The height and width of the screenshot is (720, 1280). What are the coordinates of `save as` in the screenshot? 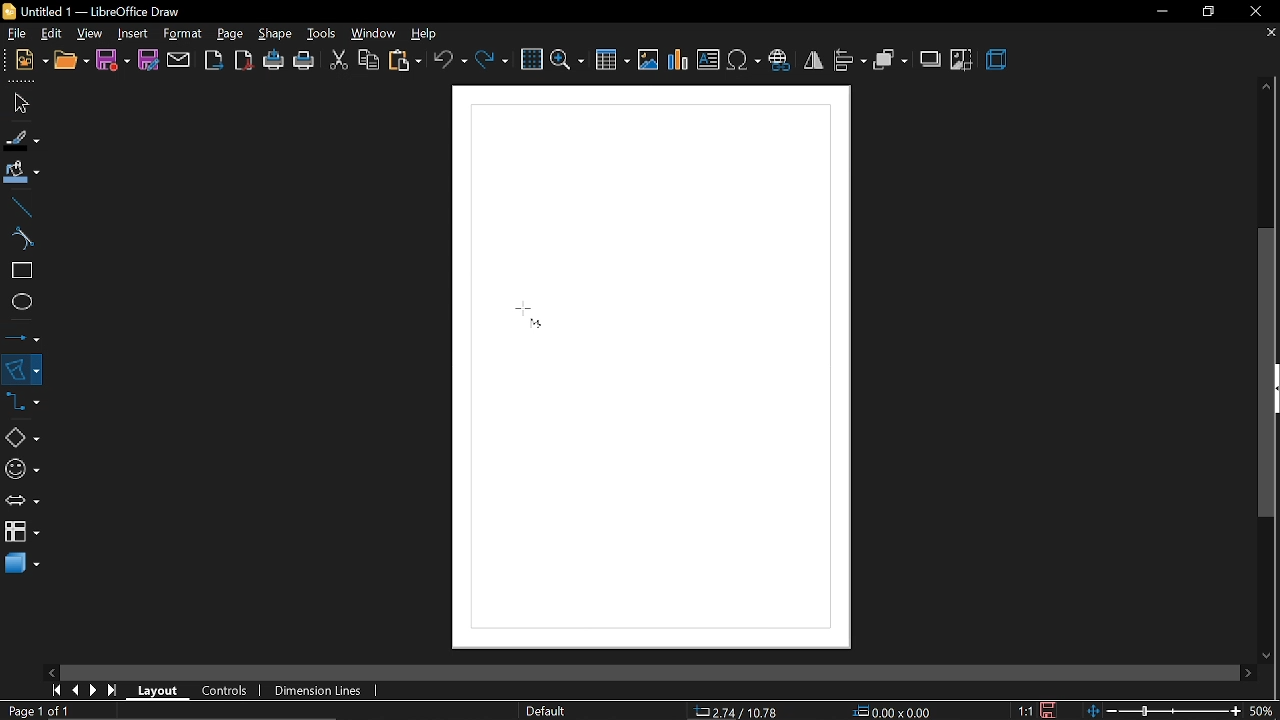 It's located at (148, 61).